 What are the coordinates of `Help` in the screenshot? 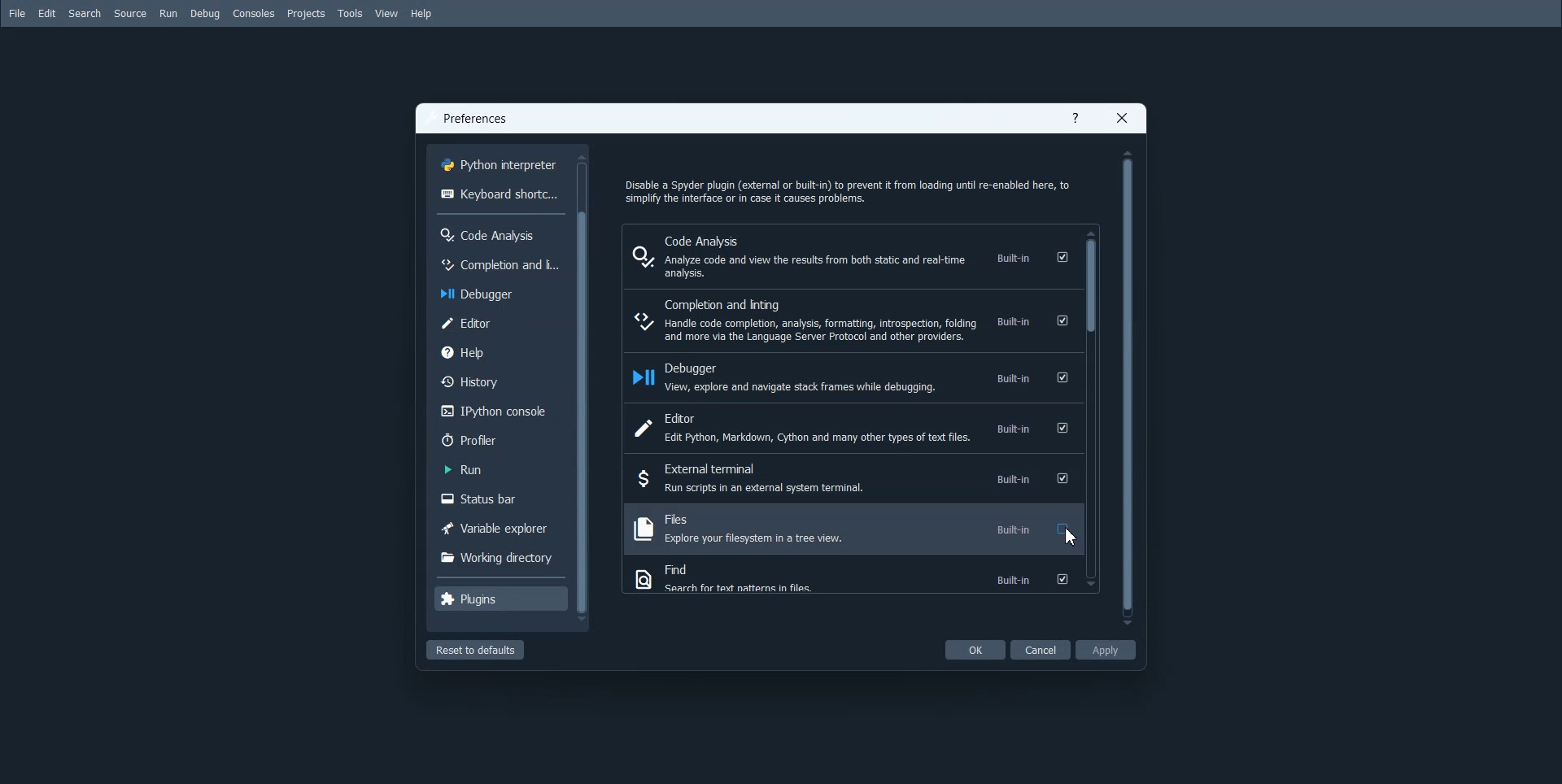 It's located at (499, 351).